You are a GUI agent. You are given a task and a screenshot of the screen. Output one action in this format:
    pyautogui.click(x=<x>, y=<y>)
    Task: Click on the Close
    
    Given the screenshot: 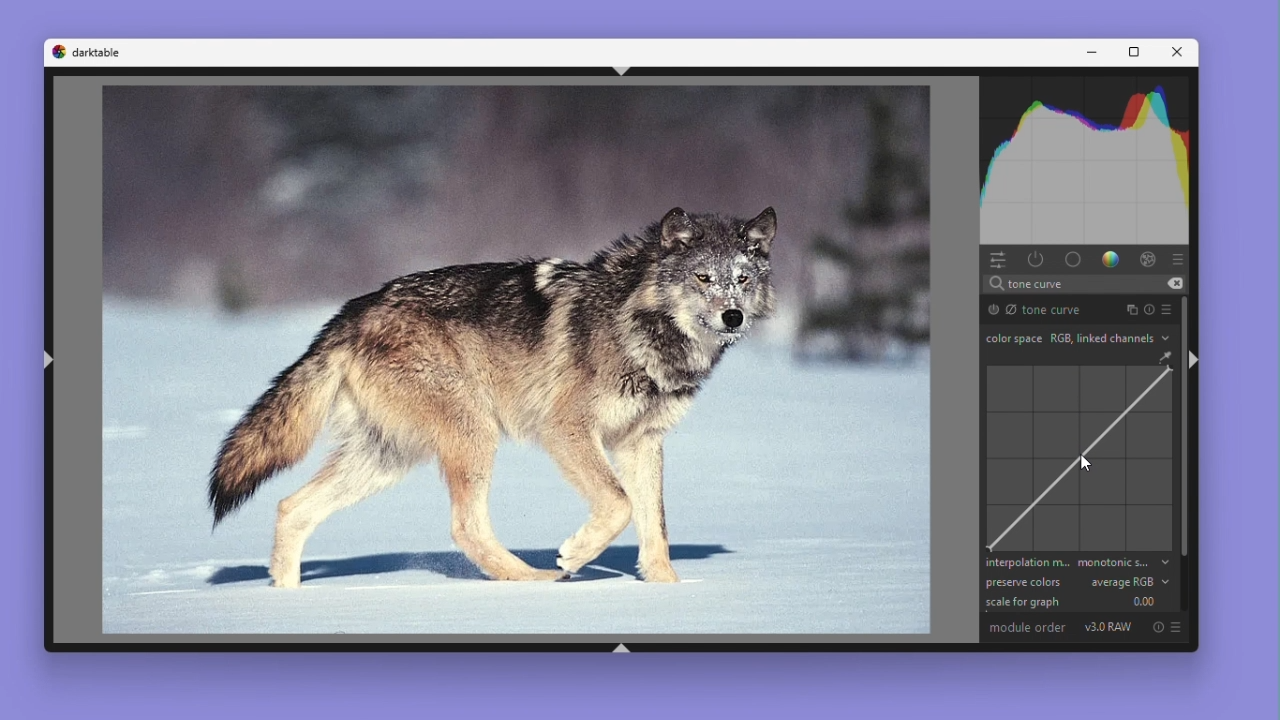 What is the action you would take?
    pyautogui.click(x=1179, y=53)
    